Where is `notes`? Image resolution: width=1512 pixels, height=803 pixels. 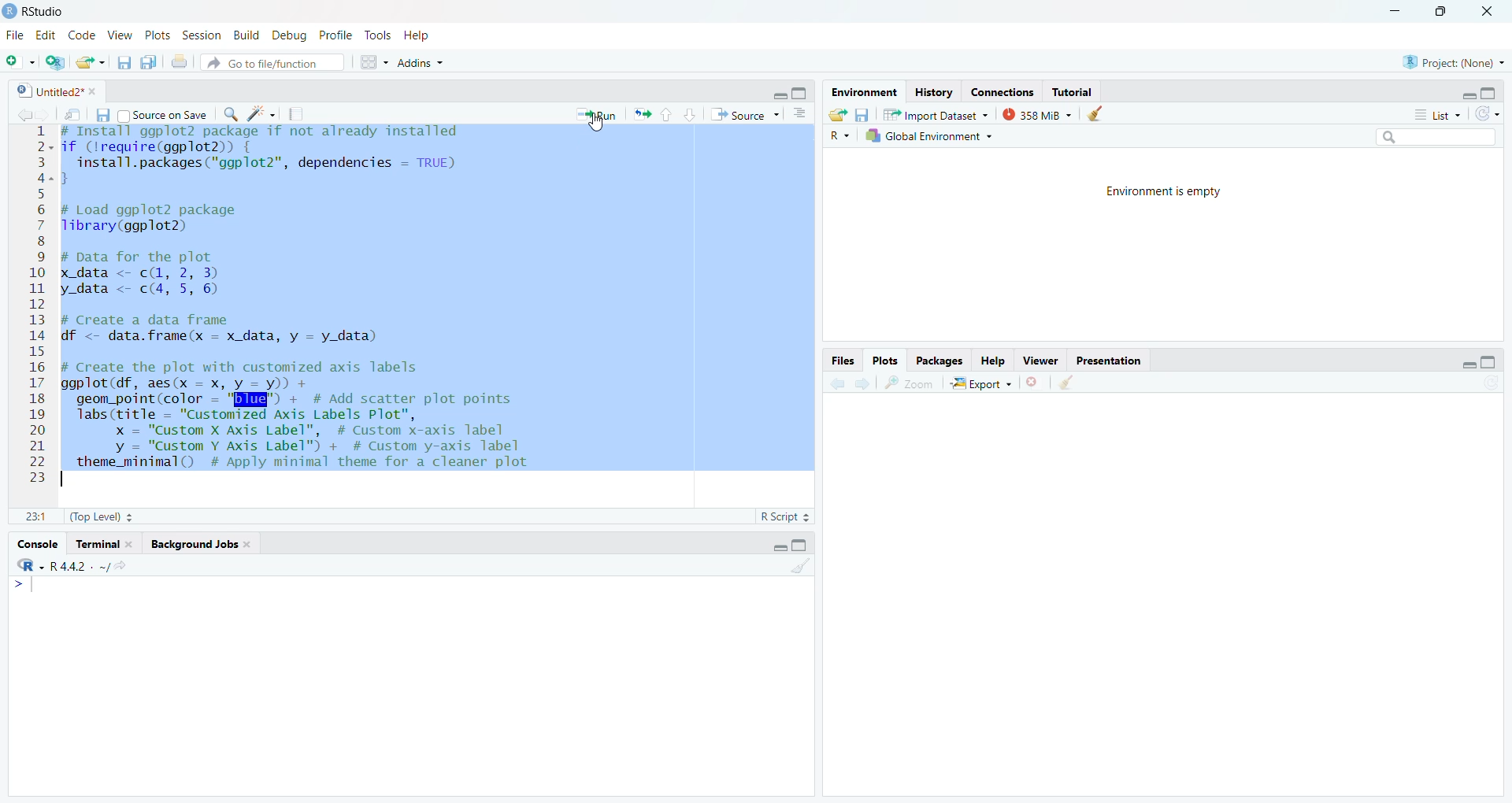
notes is located at coordinates (299, 114).